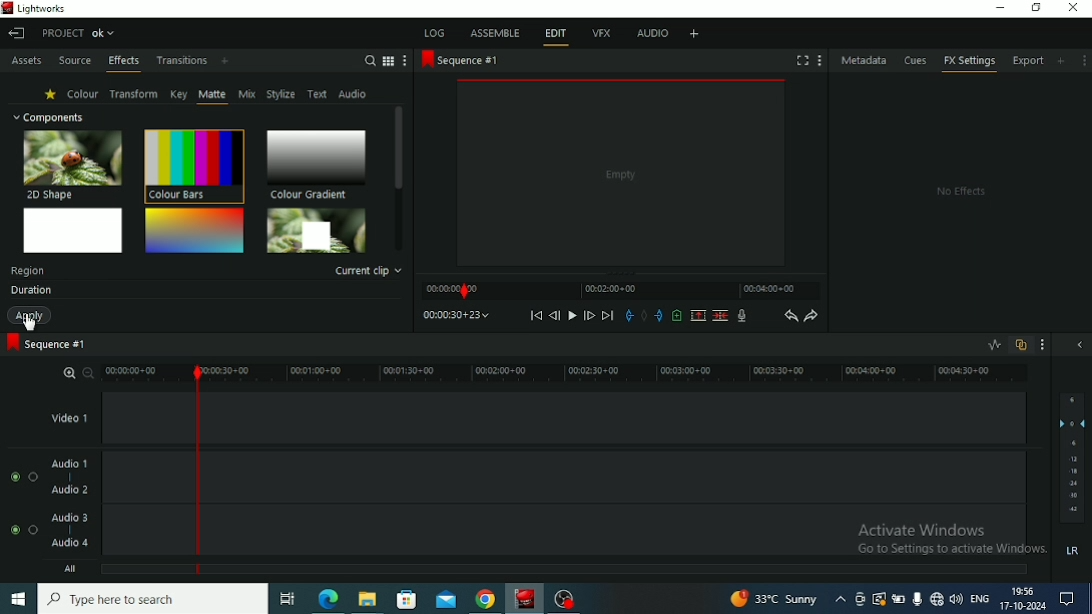  I want to click on Effects, so click(124, 64).